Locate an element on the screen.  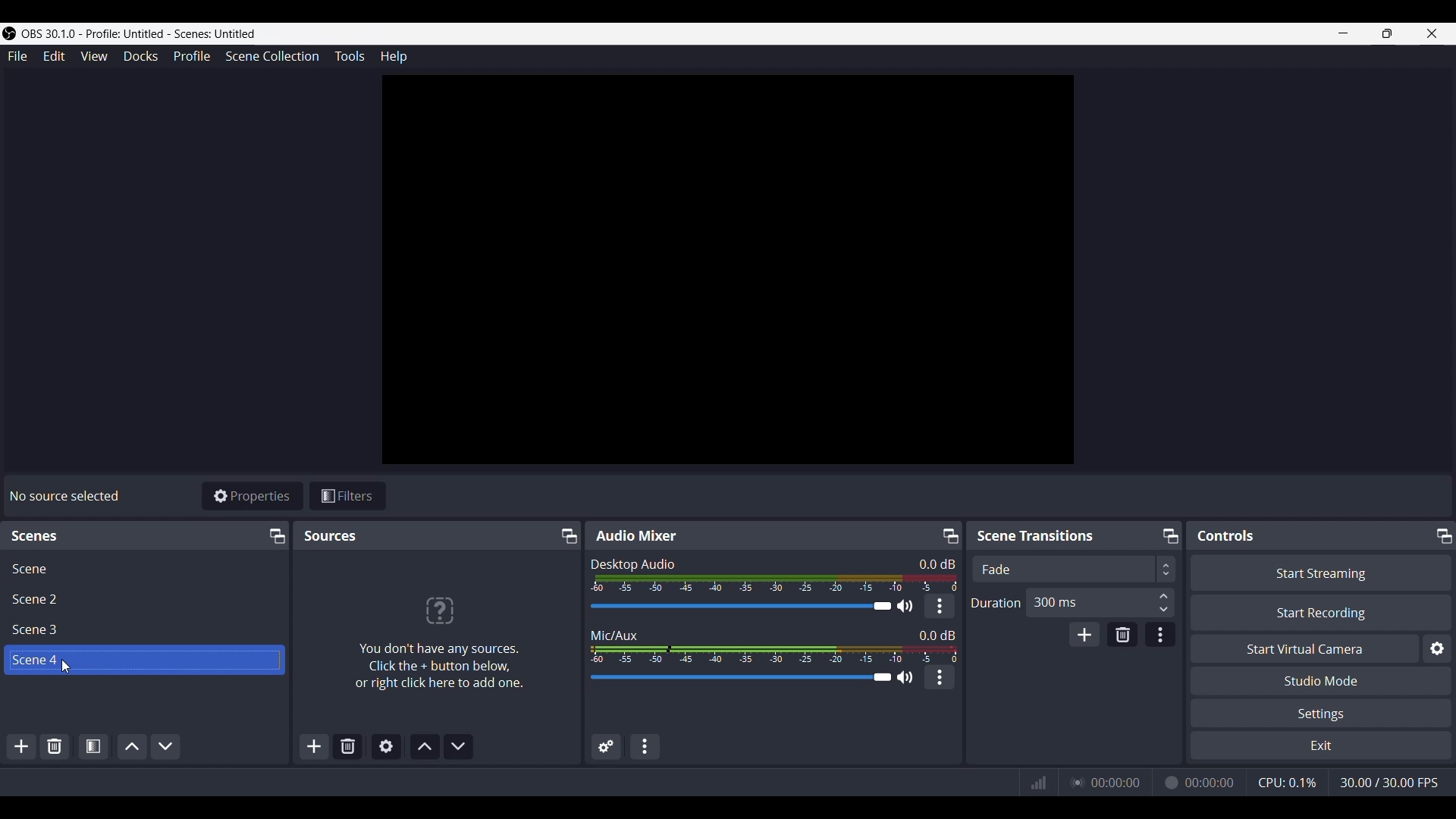
Scene 4 is located at coordinates (33, 660).